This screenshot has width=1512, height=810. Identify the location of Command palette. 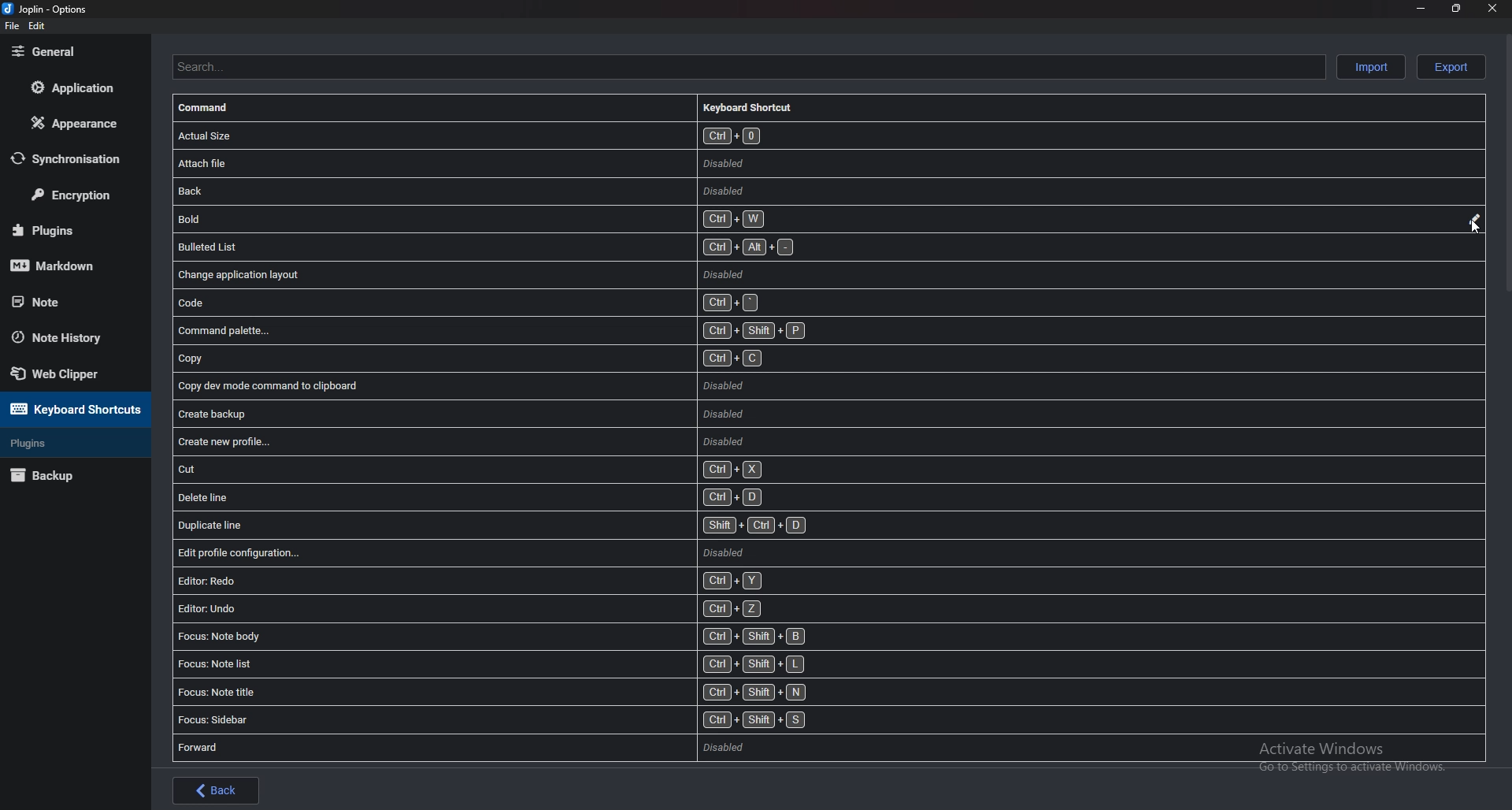
(558, 330).